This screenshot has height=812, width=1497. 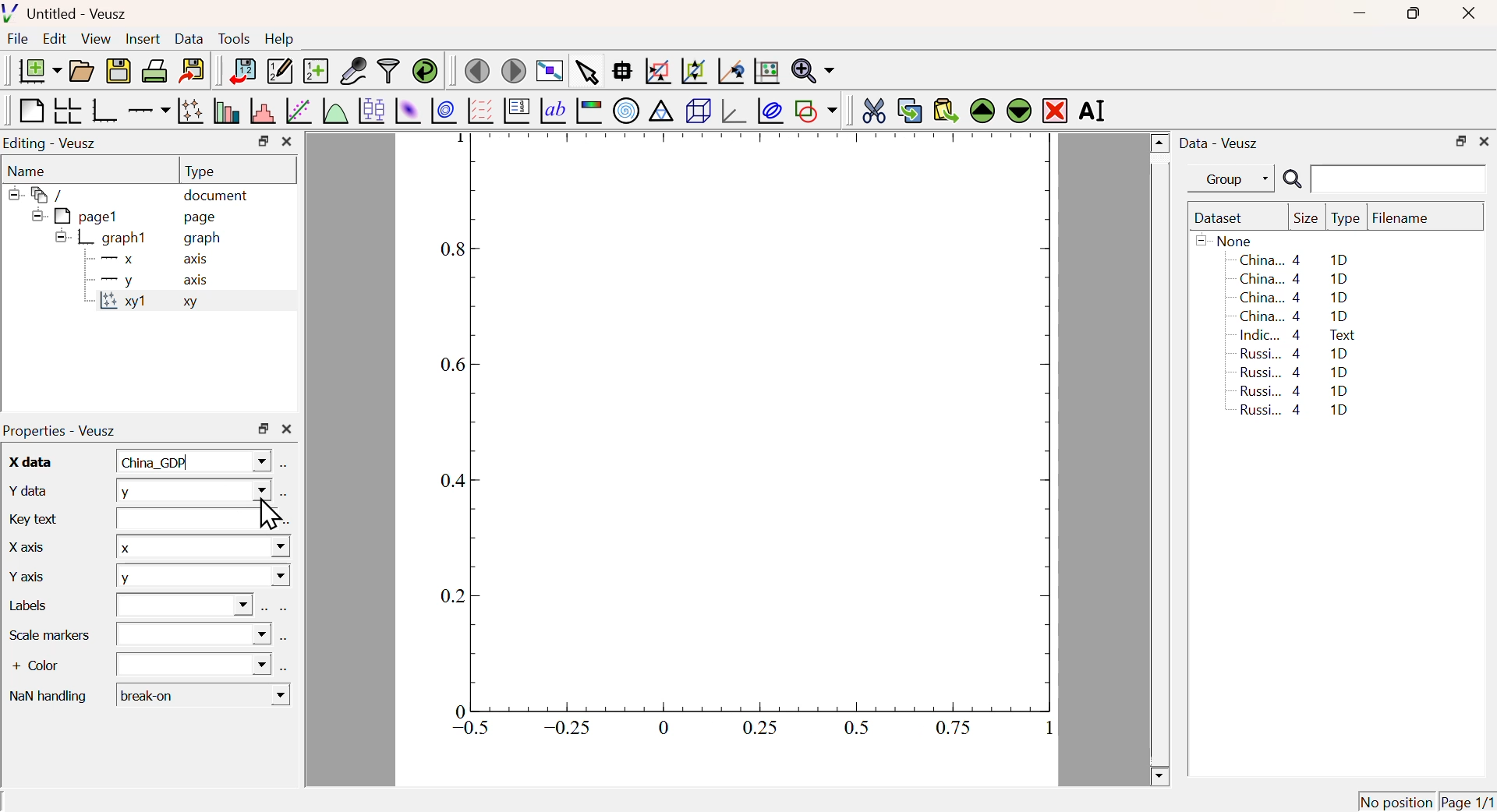 I want to click on Restore Down, so click(x=1460, y=142).